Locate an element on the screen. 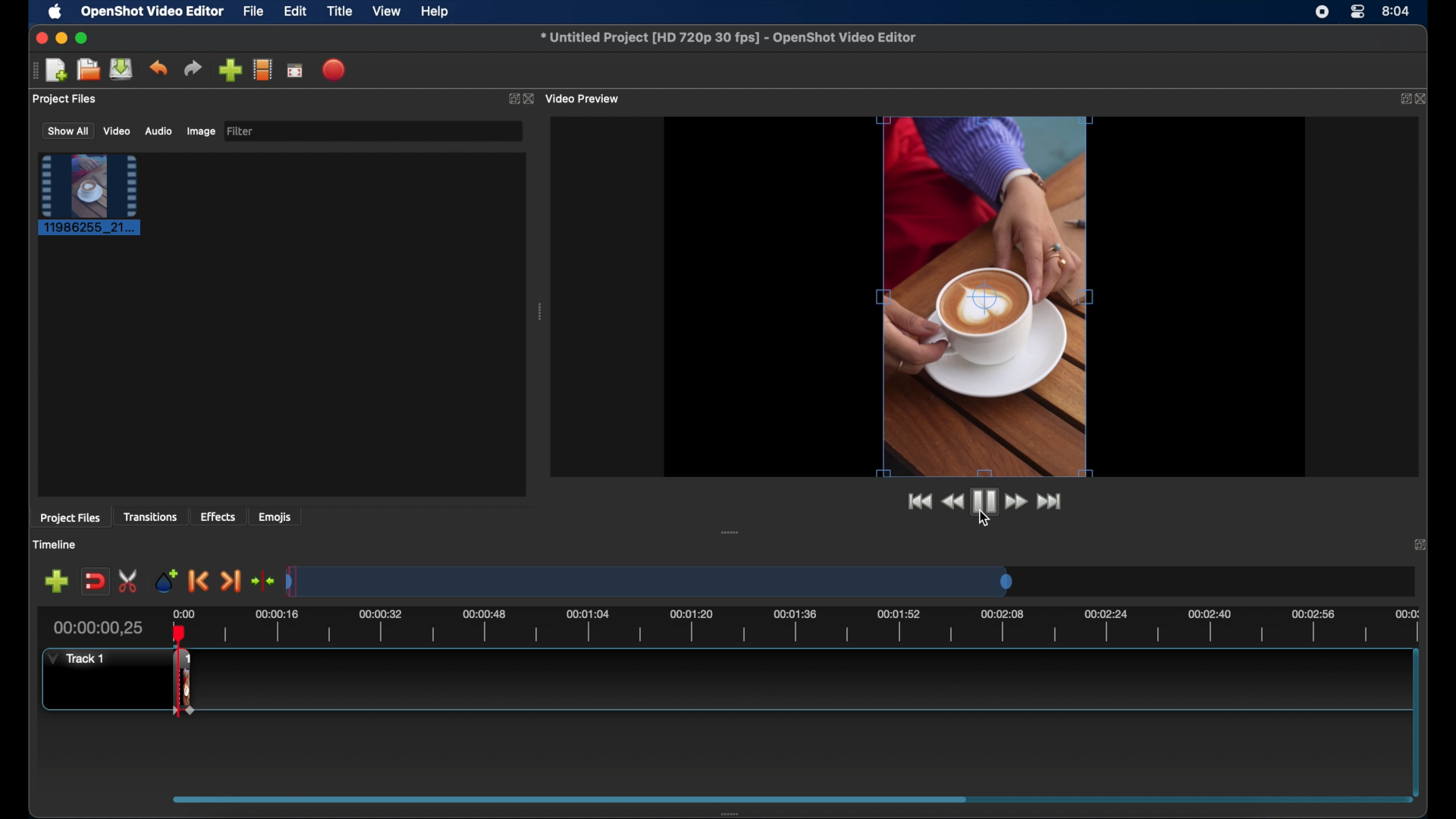 This screenshot has width=1456, height=819. minimize is located at coordinates (61, 38).